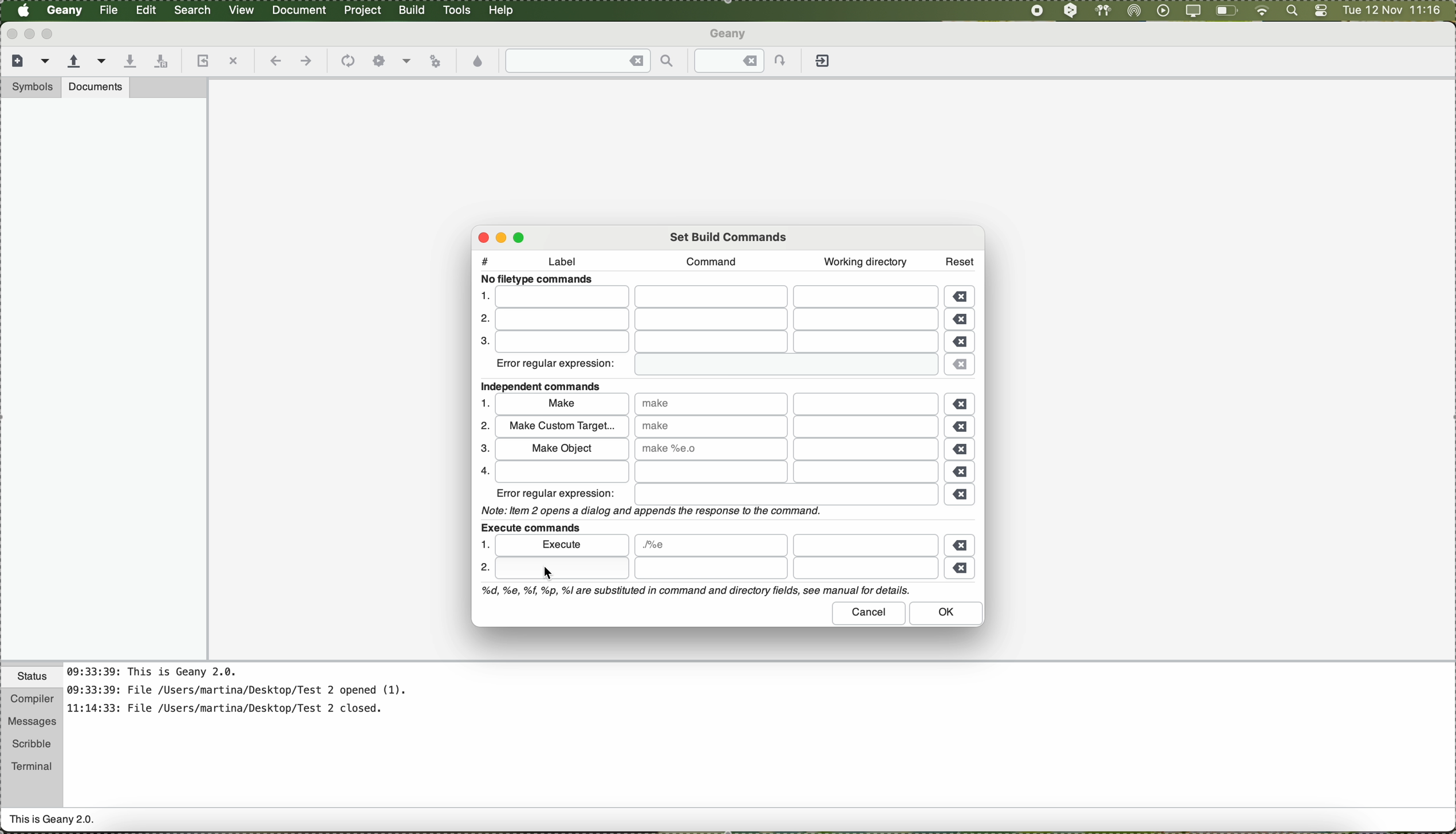  I want to click on reload the current file from disk, so click(201, 62).